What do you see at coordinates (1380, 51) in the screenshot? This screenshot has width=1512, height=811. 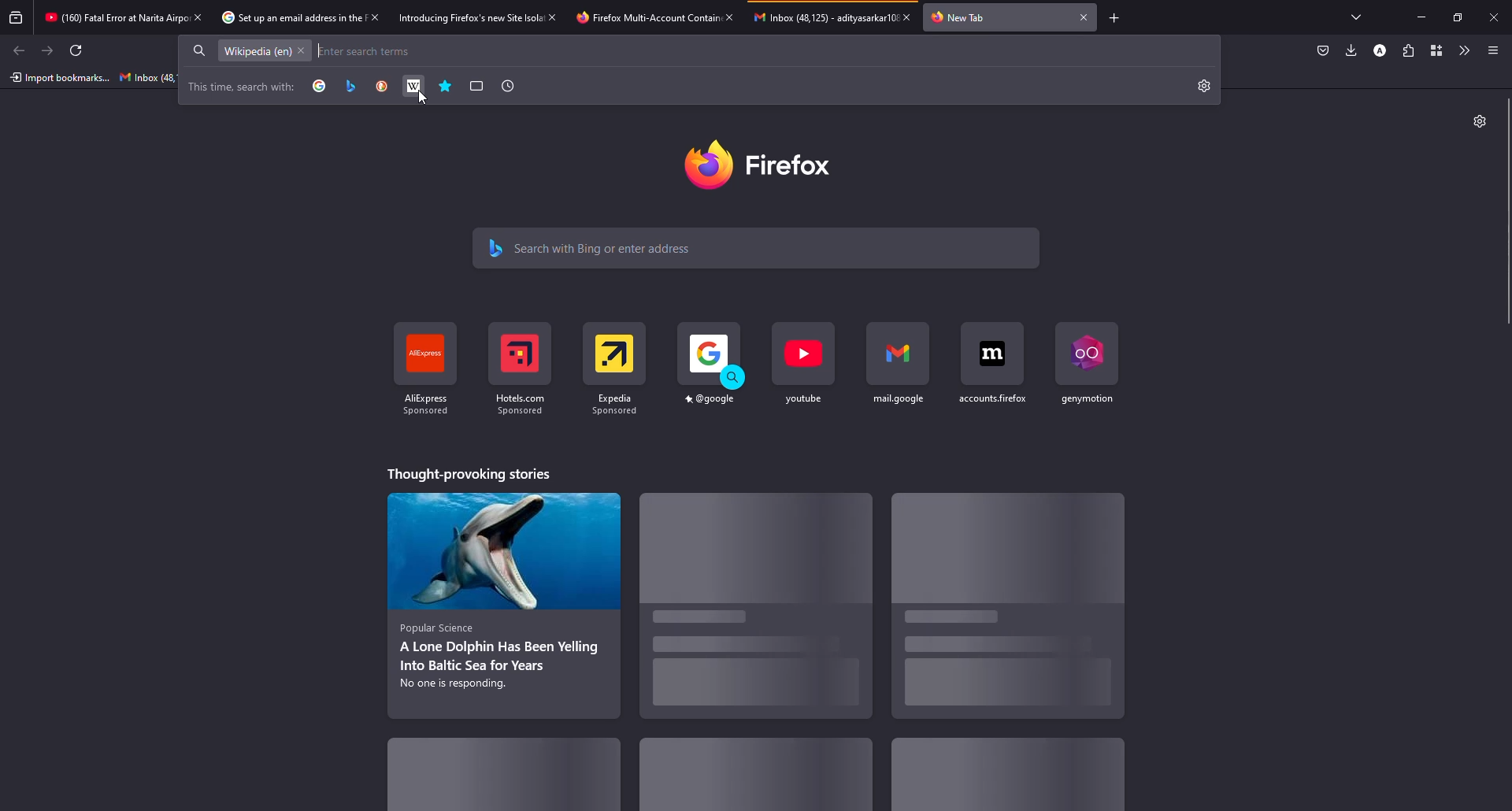 I see `profile` at bounding box center [1380, 51].